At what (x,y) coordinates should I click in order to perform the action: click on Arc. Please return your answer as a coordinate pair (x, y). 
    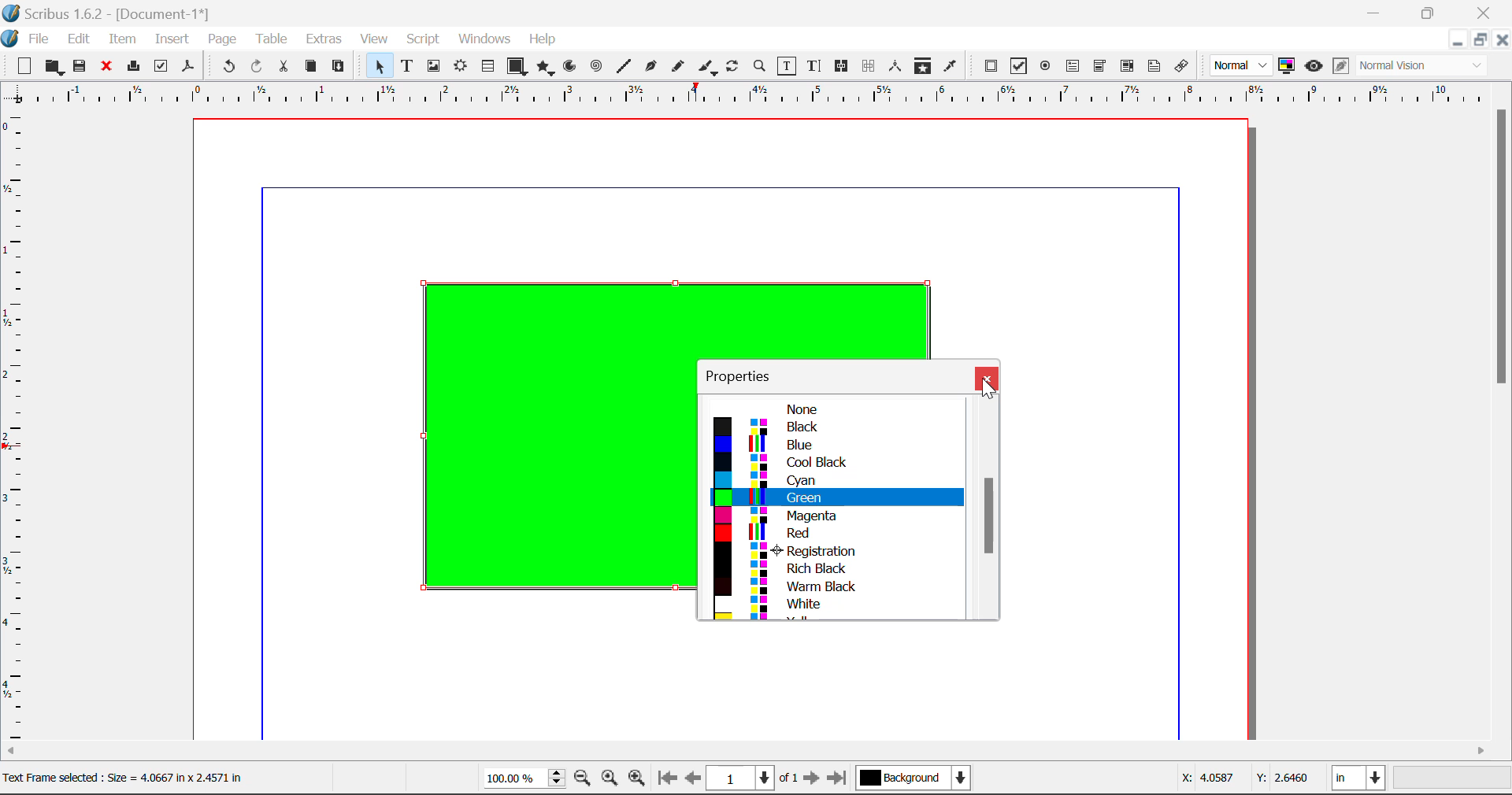
    Looking at the image, I should click on (571, 68).